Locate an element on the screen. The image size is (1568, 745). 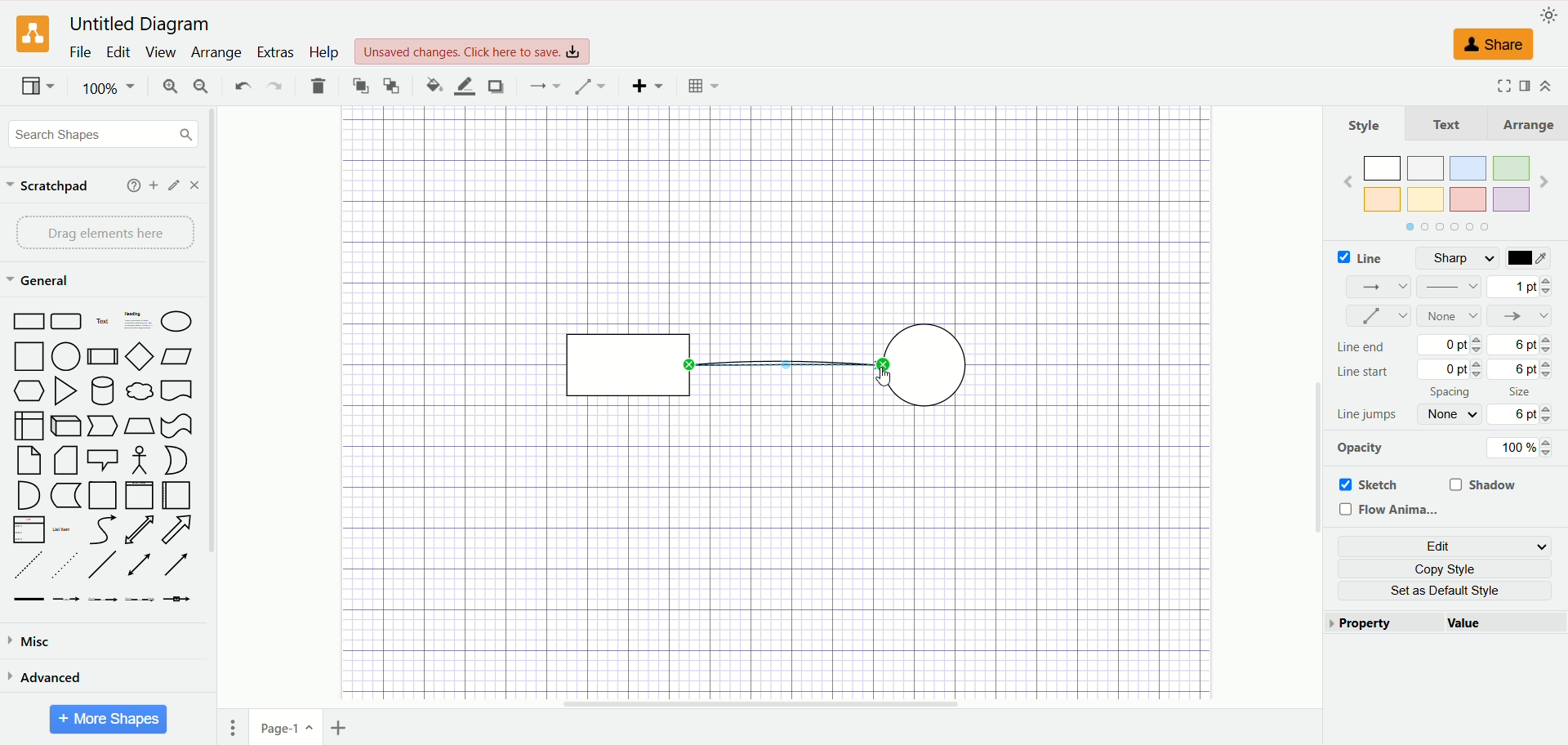
List Item is located at coordinates (64, 530).